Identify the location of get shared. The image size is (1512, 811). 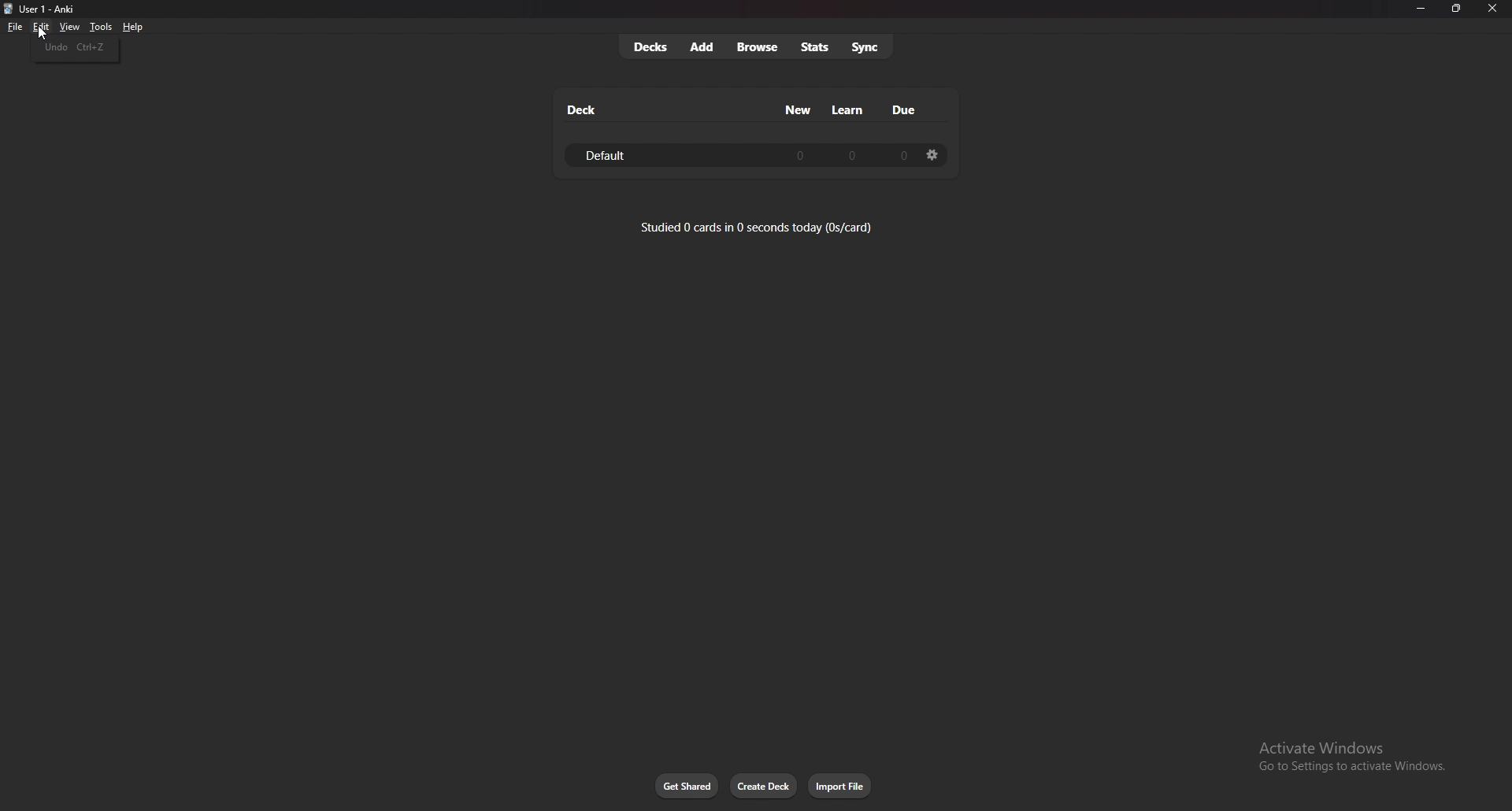
(687, 786).